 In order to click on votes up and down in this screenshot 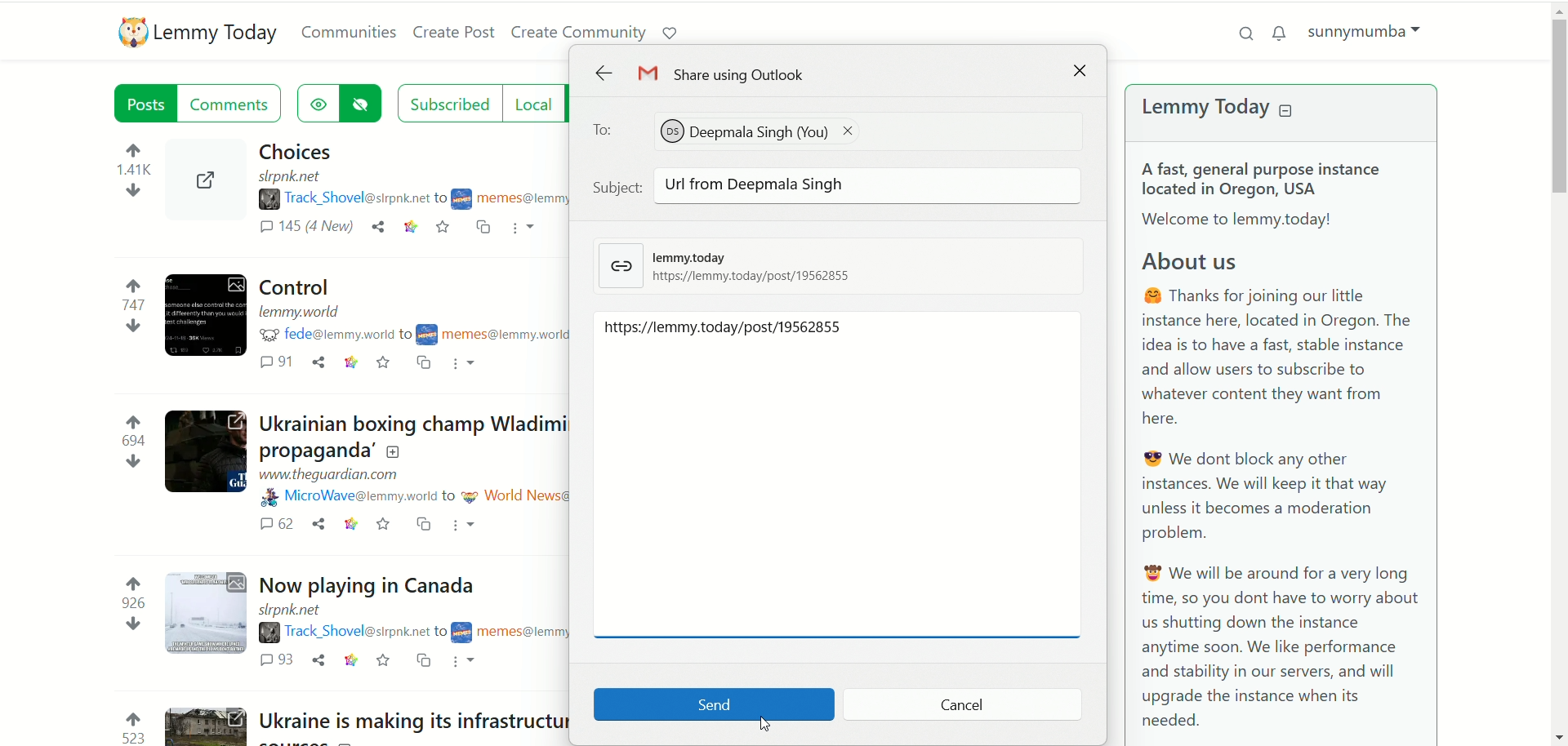, I will do `click(134, 172)`.